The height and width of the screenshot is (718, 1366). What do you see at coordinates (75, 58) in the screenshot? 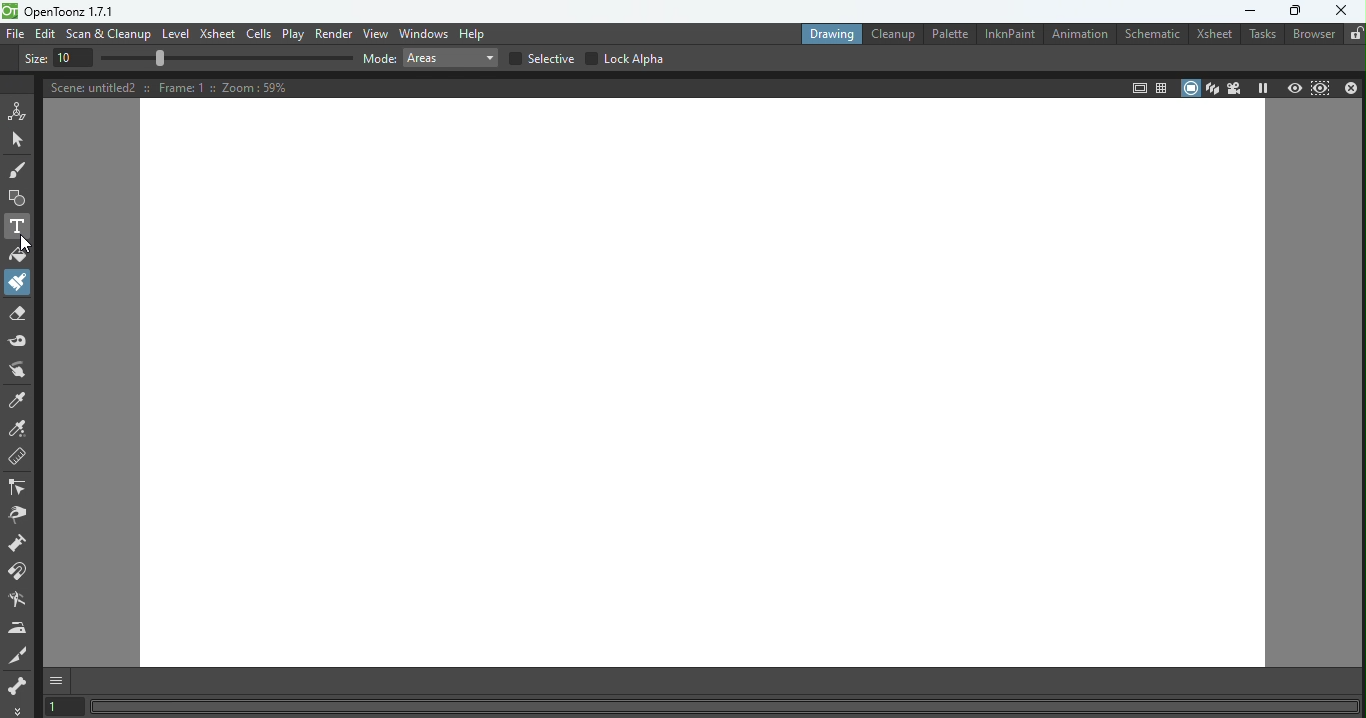
I see `Text box` at bounding box center [75, 58].